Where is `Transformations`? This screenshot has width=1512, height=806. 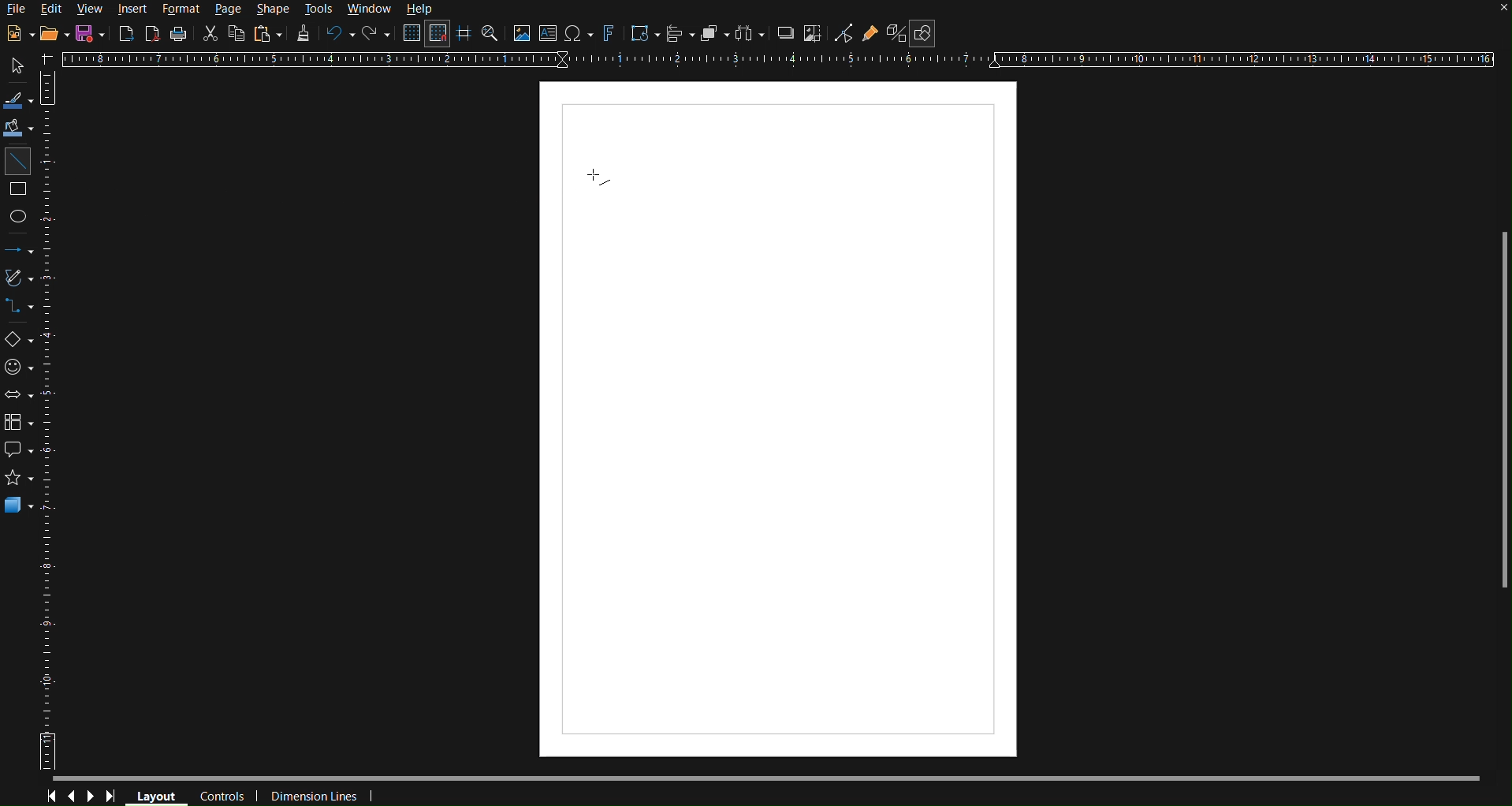 Transformations is located at coordinates (643, 34).